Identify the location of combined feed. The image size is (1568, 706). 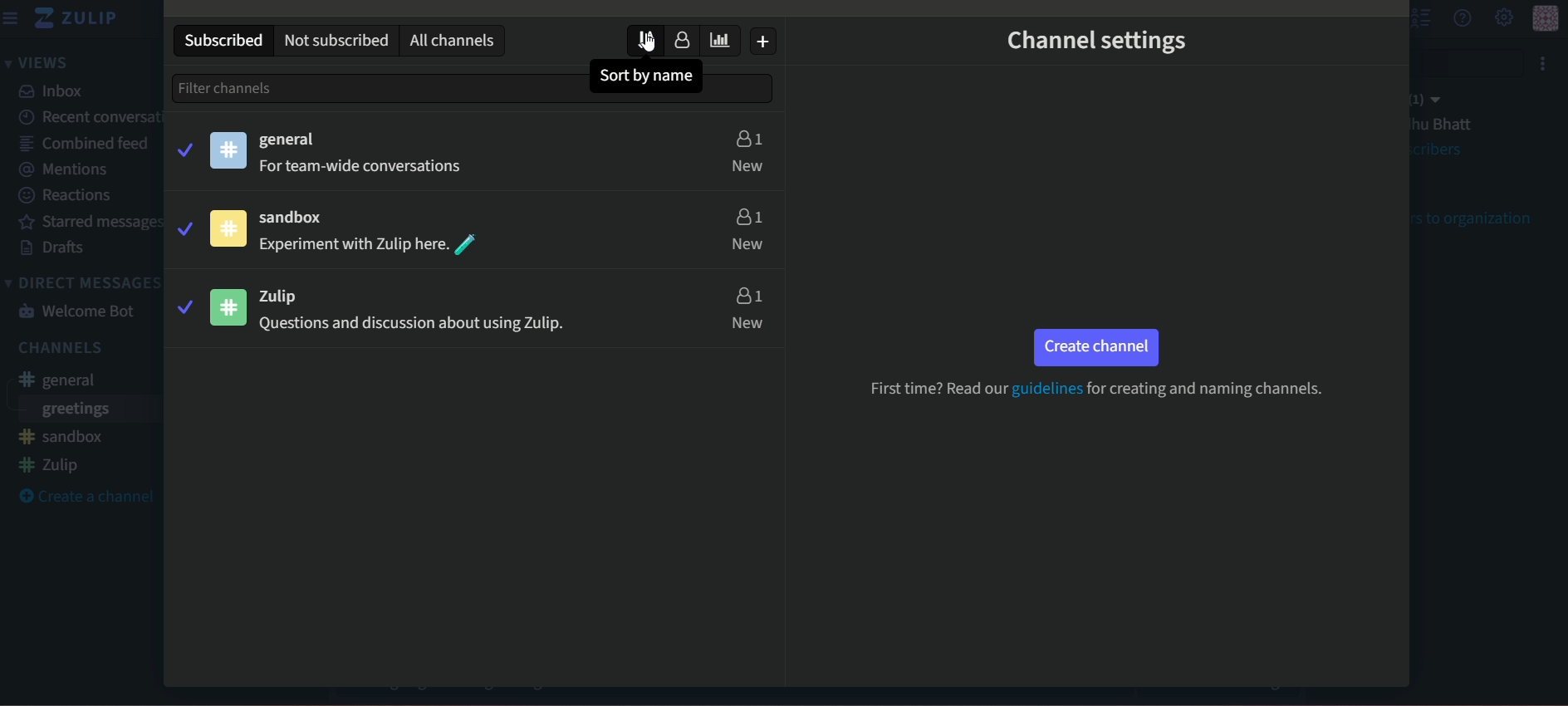
(83, 143).